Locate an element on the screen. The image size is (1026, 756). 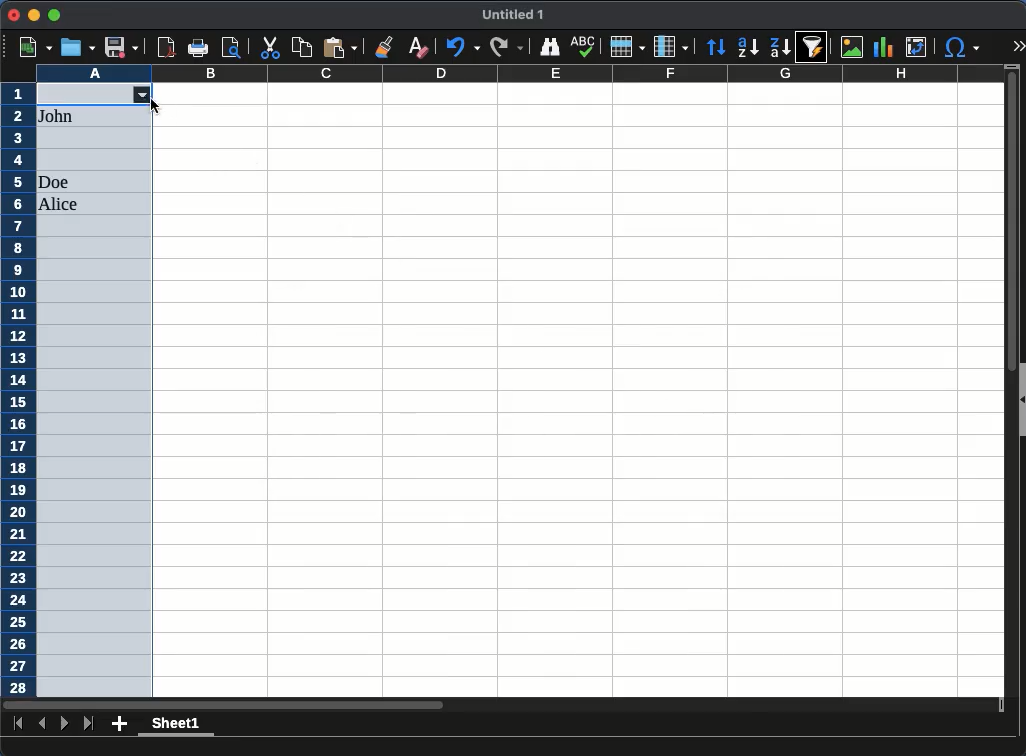
row is located at coordinates (626, 46).